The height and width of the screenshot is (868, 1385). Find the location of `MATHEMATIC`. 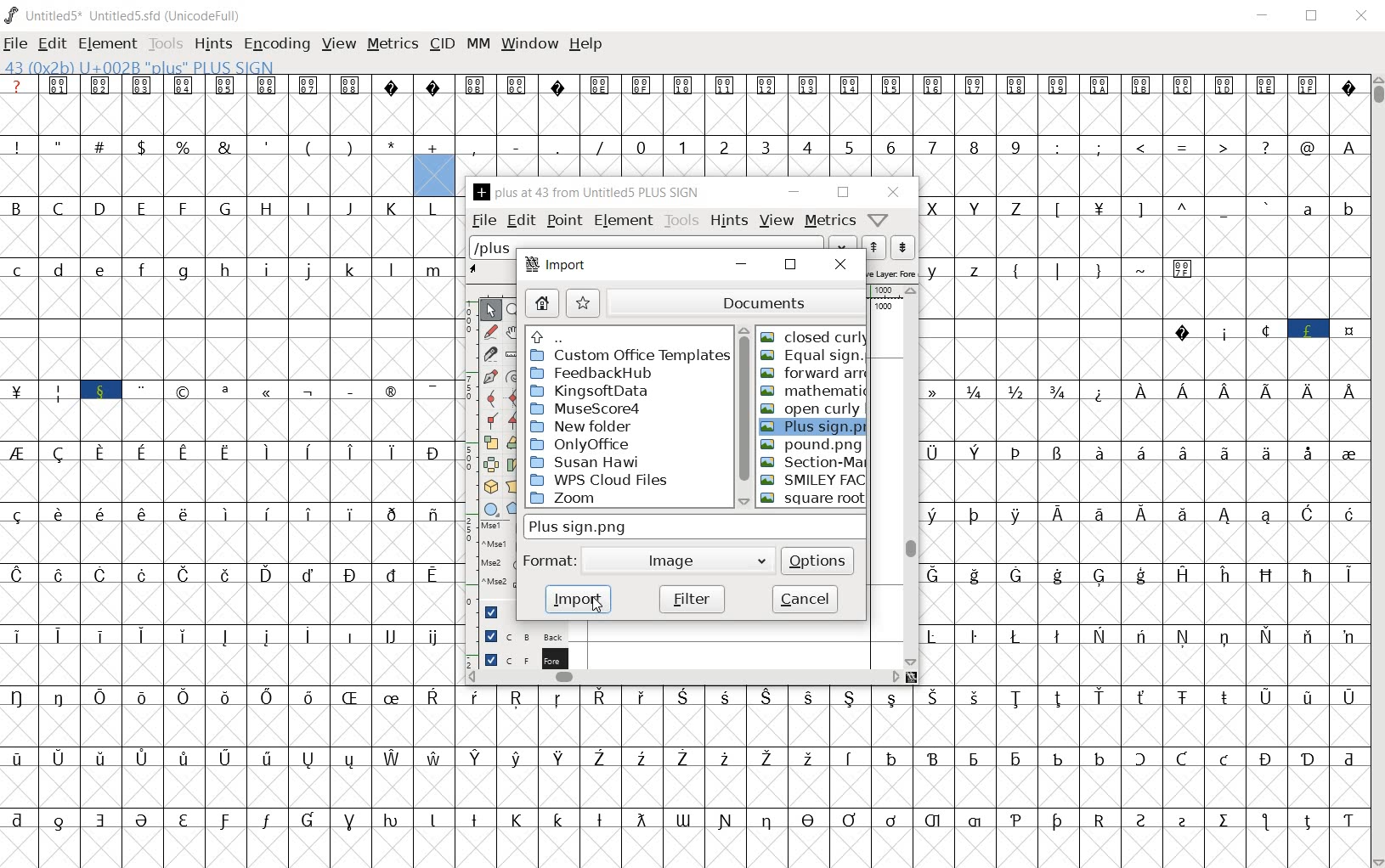

MATHEMATIC is located at coordinates (814, 391).